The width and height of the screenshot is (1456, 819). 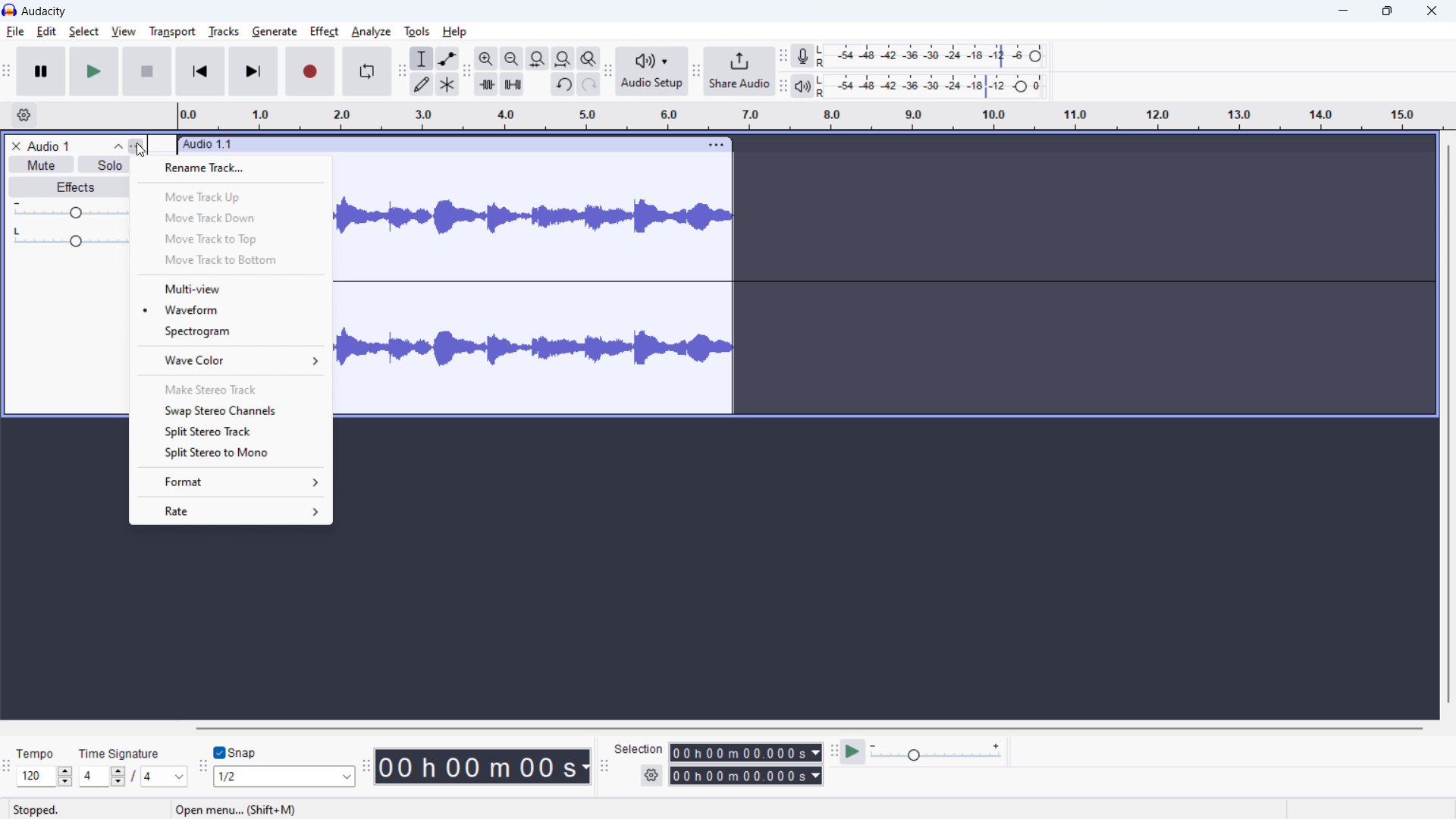 What do you see at coordinates (836, 752) in the screenshot?
I see `play at speed toolbar` at bounding box center [836, 752].